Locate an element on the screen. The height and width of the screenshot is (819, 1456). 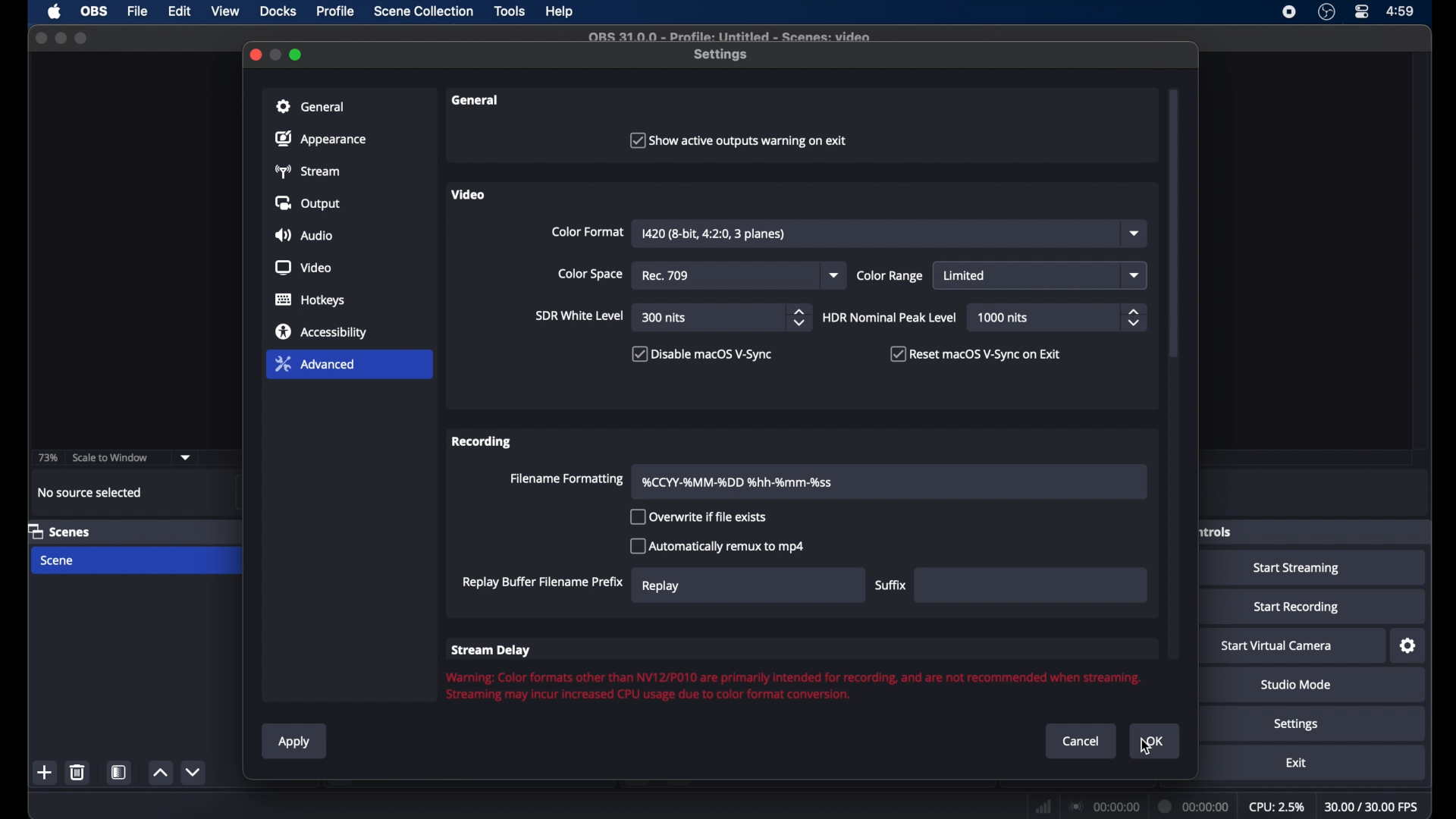
settings is located at coordinates (1407, 646).